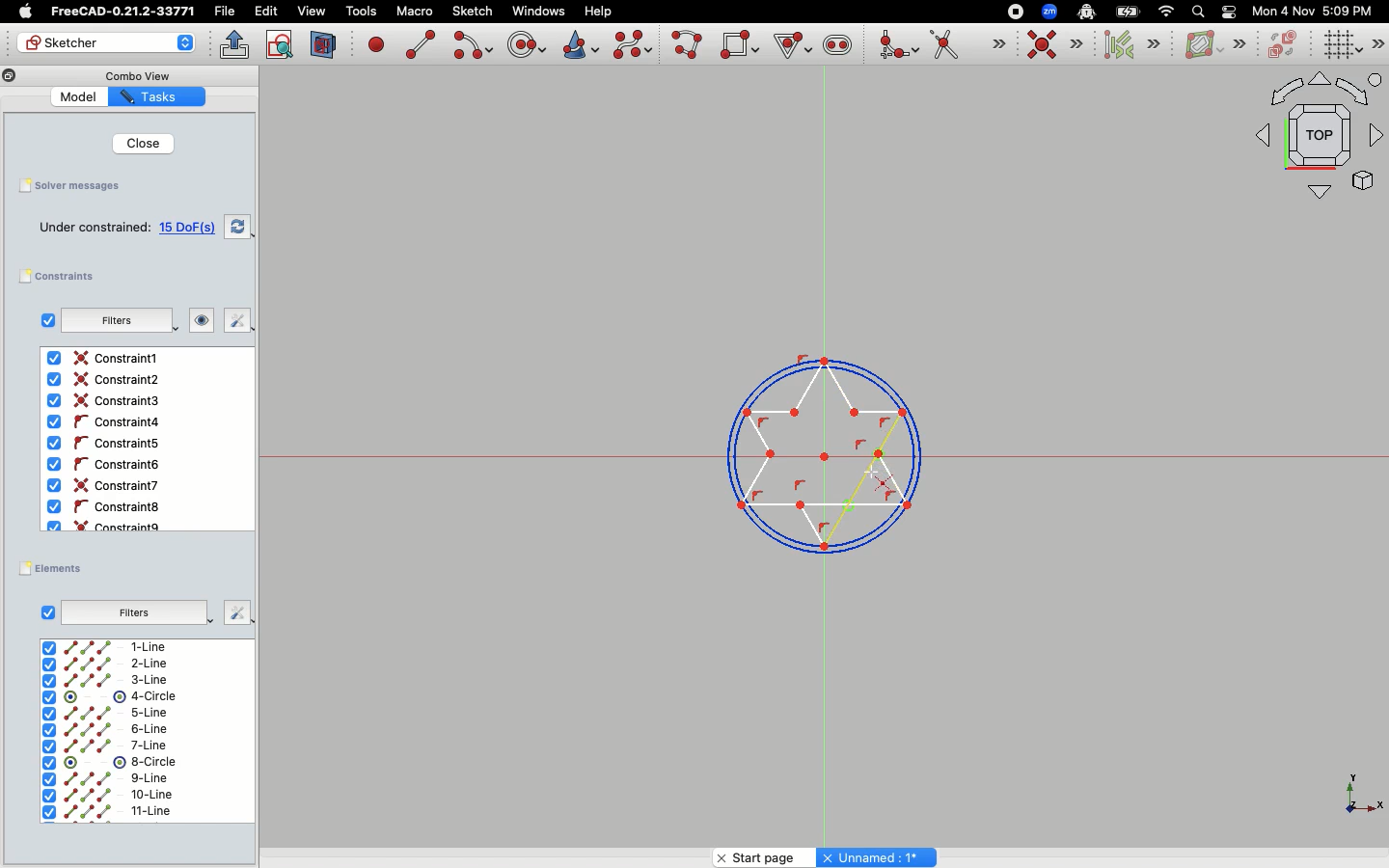  Describe the element at coordinates (1340, 45) in the screenshot. I see `Toggle grid` at that location.